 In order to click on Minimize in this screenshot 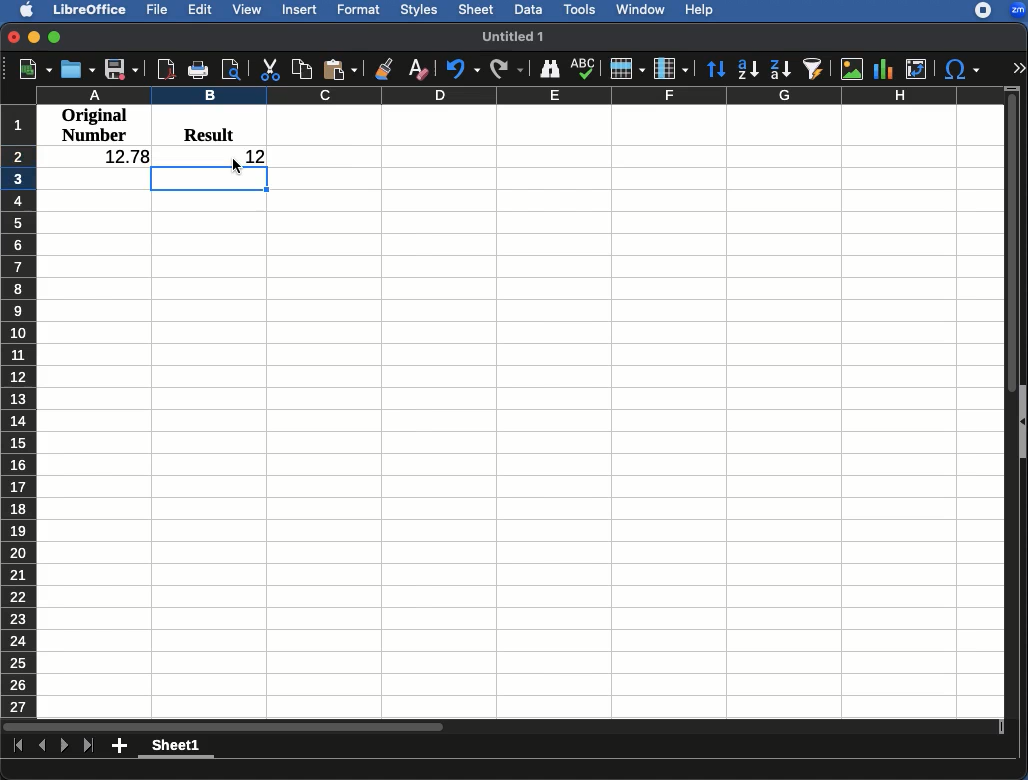, I will do `click(35, 39)`.